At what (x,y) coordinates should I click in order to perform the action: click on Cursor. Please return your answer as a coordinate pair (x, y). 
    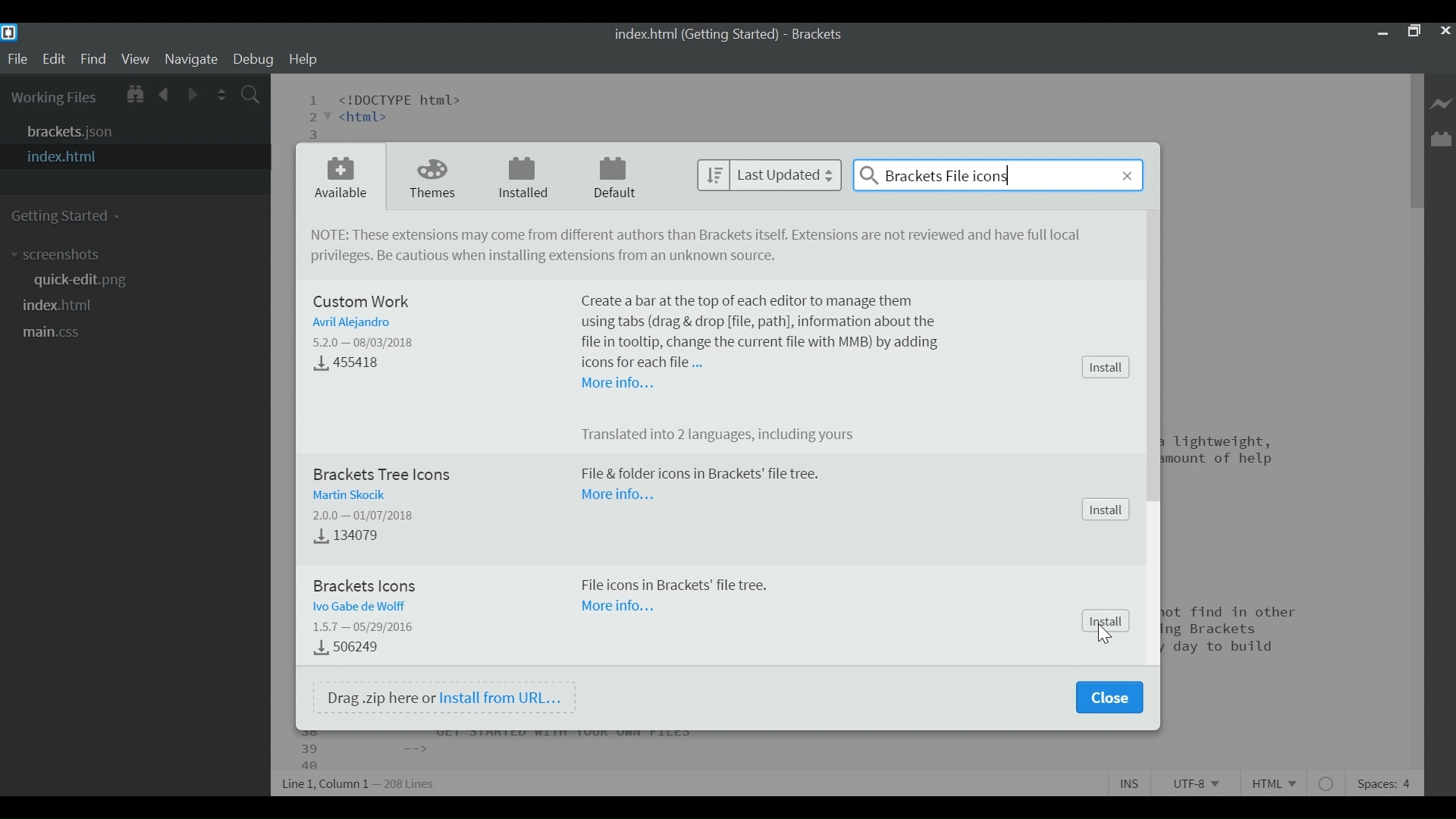
    Looking at the image, I should click on (1104, 637).